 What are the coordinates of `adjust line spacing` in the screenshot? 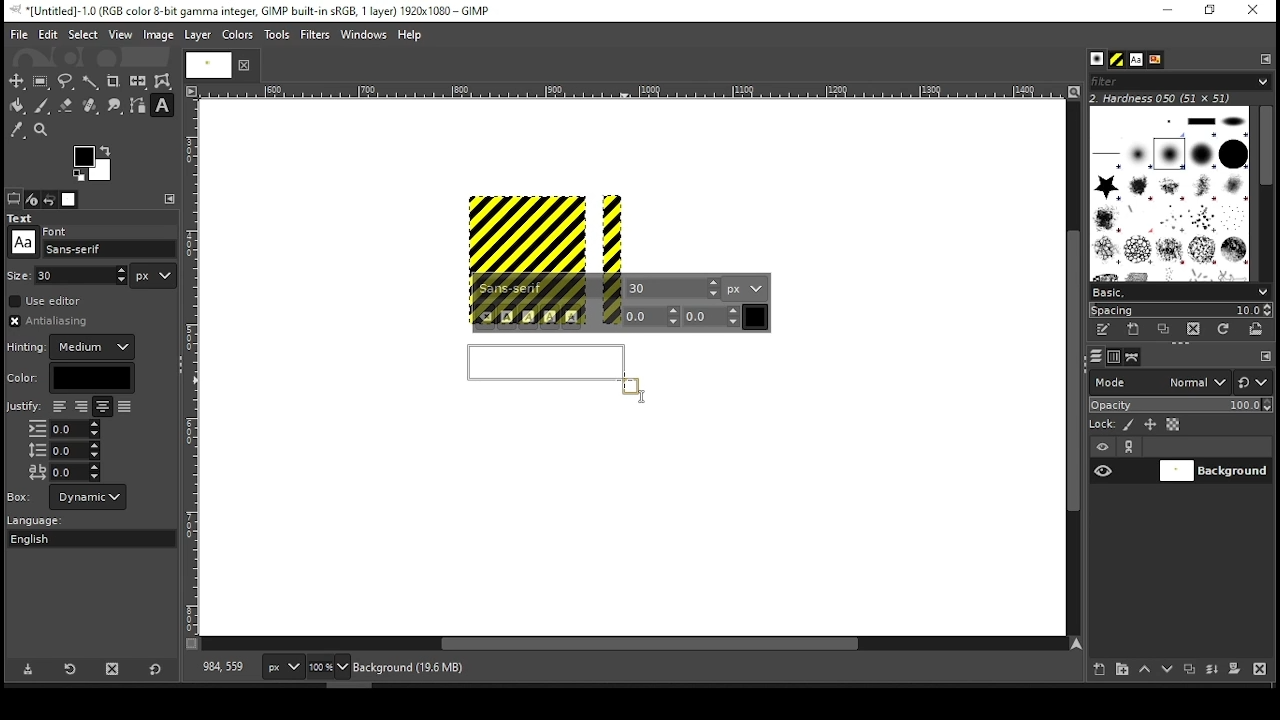 It's located at (64, 450).